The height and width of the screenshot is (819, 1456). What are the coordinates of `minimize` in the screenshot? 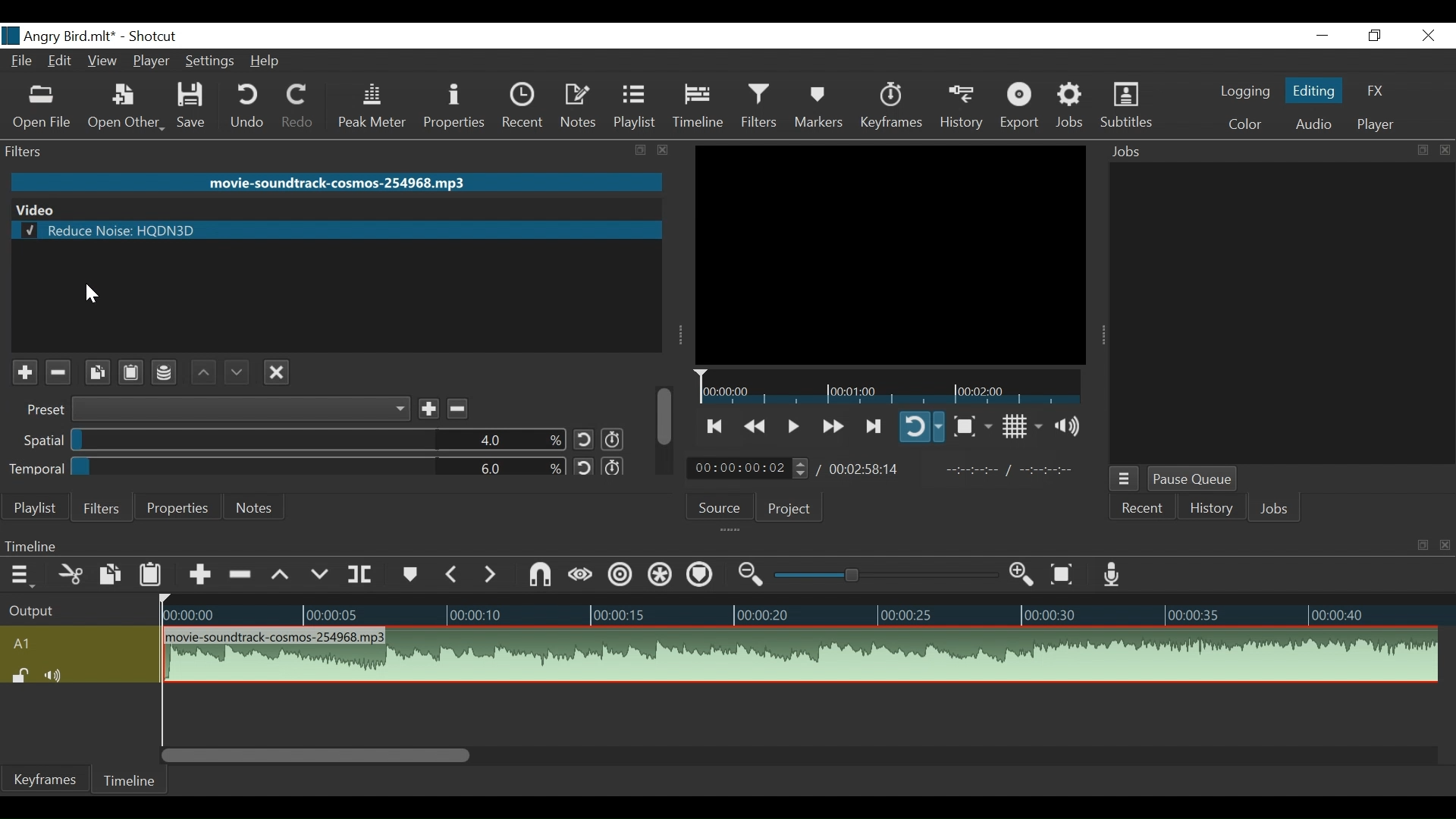 It's located at (1320, 36).